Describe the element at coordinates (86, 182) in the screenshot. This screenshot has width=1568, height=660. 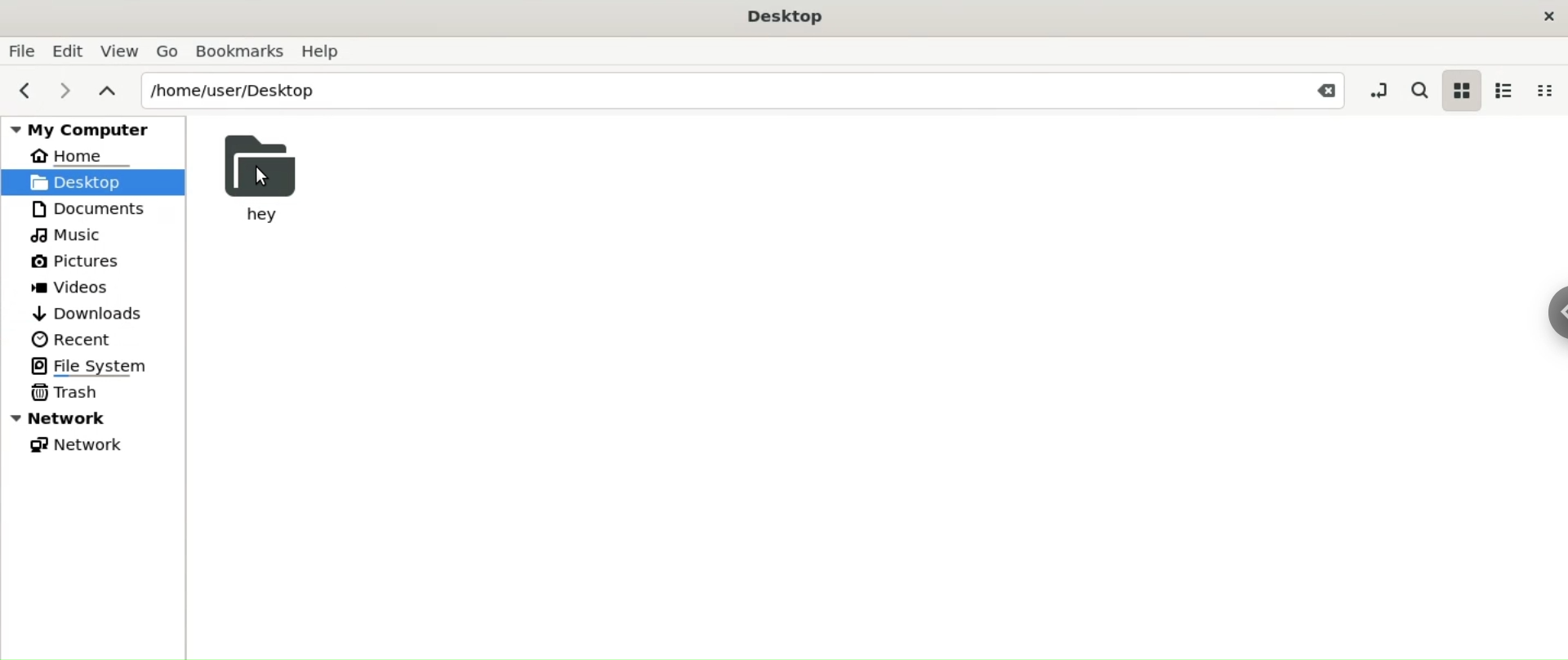
I see `Desktop` at that location.